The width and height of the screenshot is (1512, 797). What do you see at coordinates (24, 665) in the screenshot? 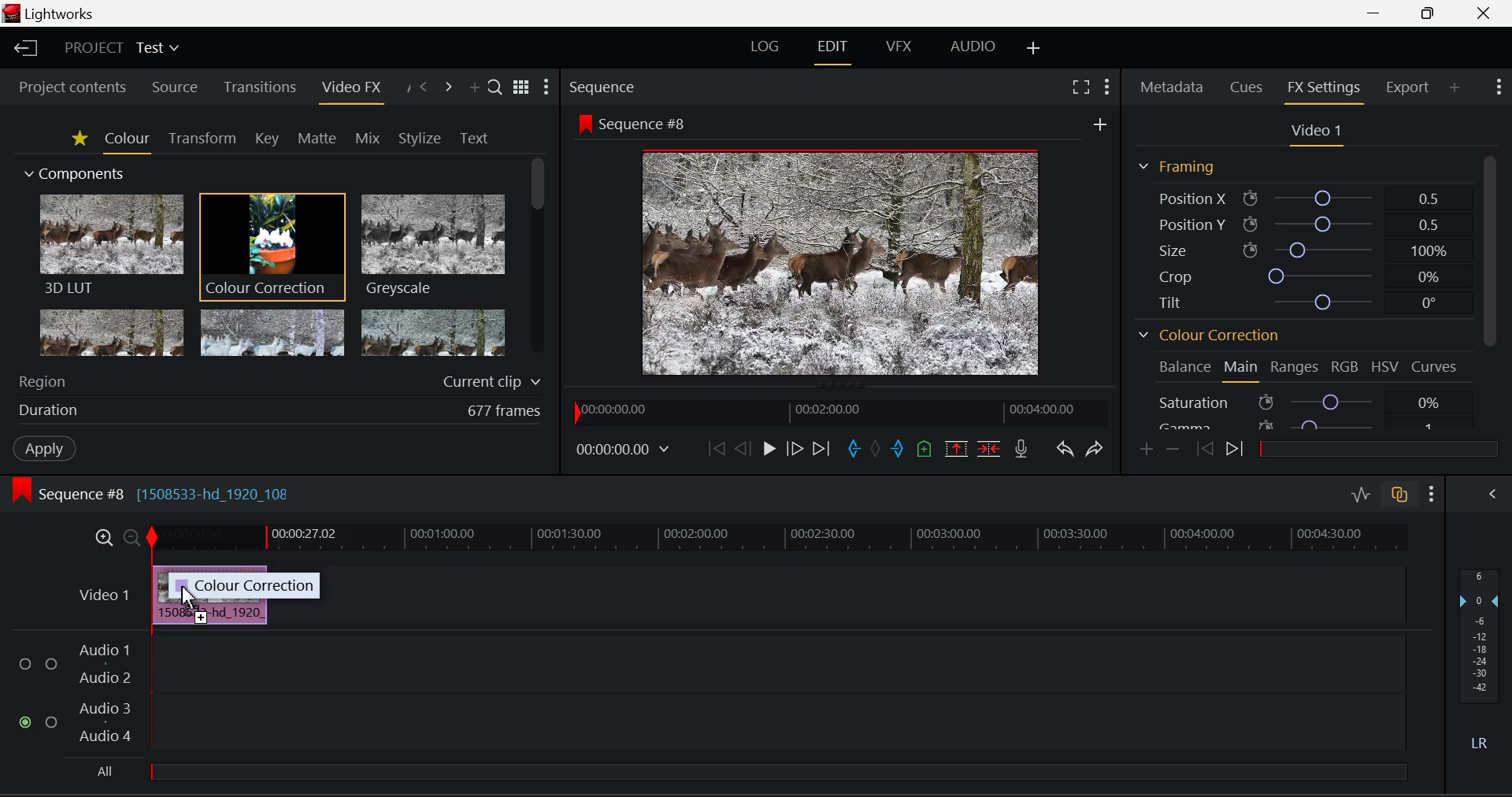
I see `Audio Input Checkbox` at bounding box center [24, 665].